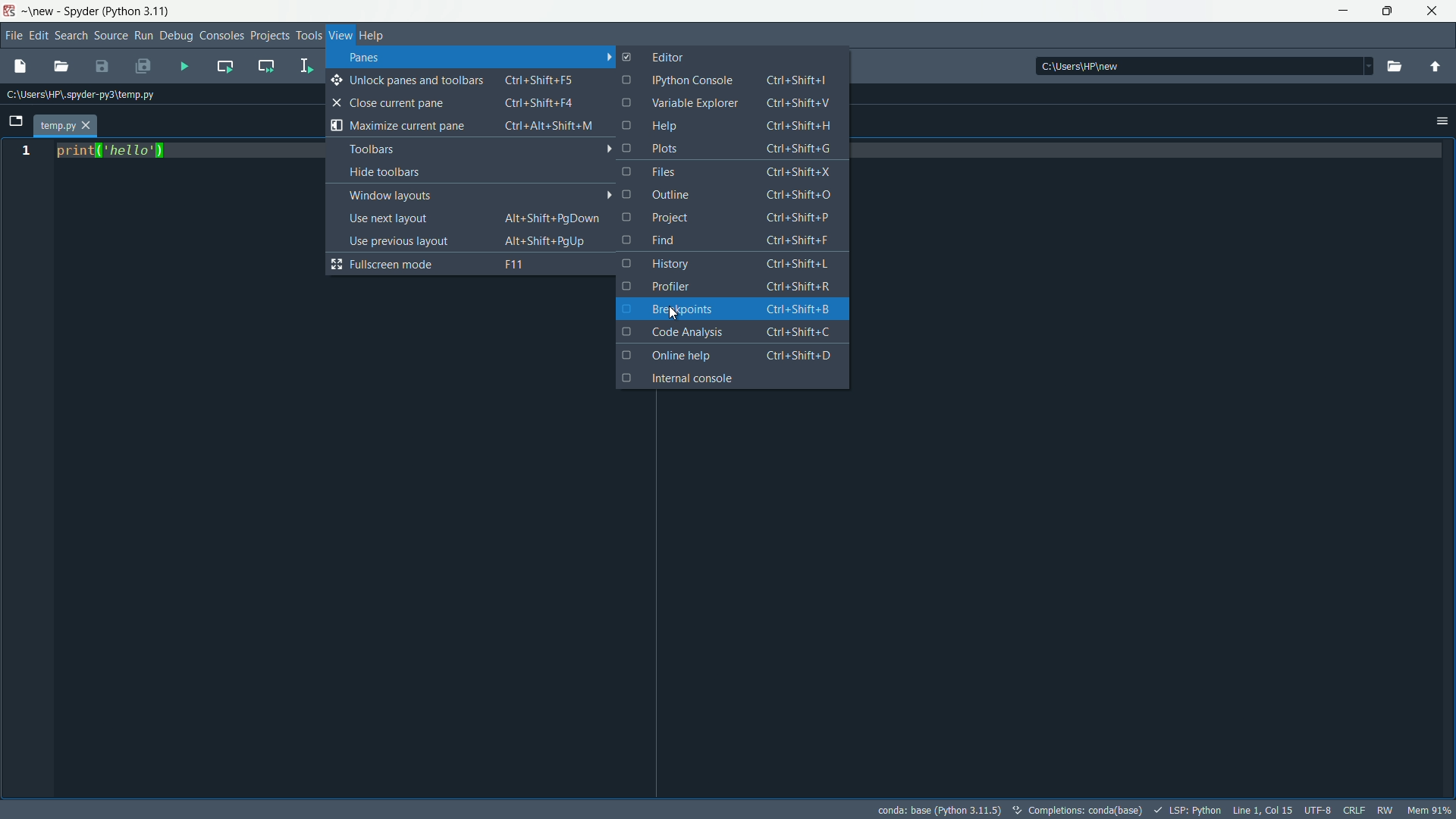 The width and height of the screenshot is (1456, 819). What do you see at coordinates (724, 286) in the screenshot?
I see `profiler` at bounding box center [724, 286].